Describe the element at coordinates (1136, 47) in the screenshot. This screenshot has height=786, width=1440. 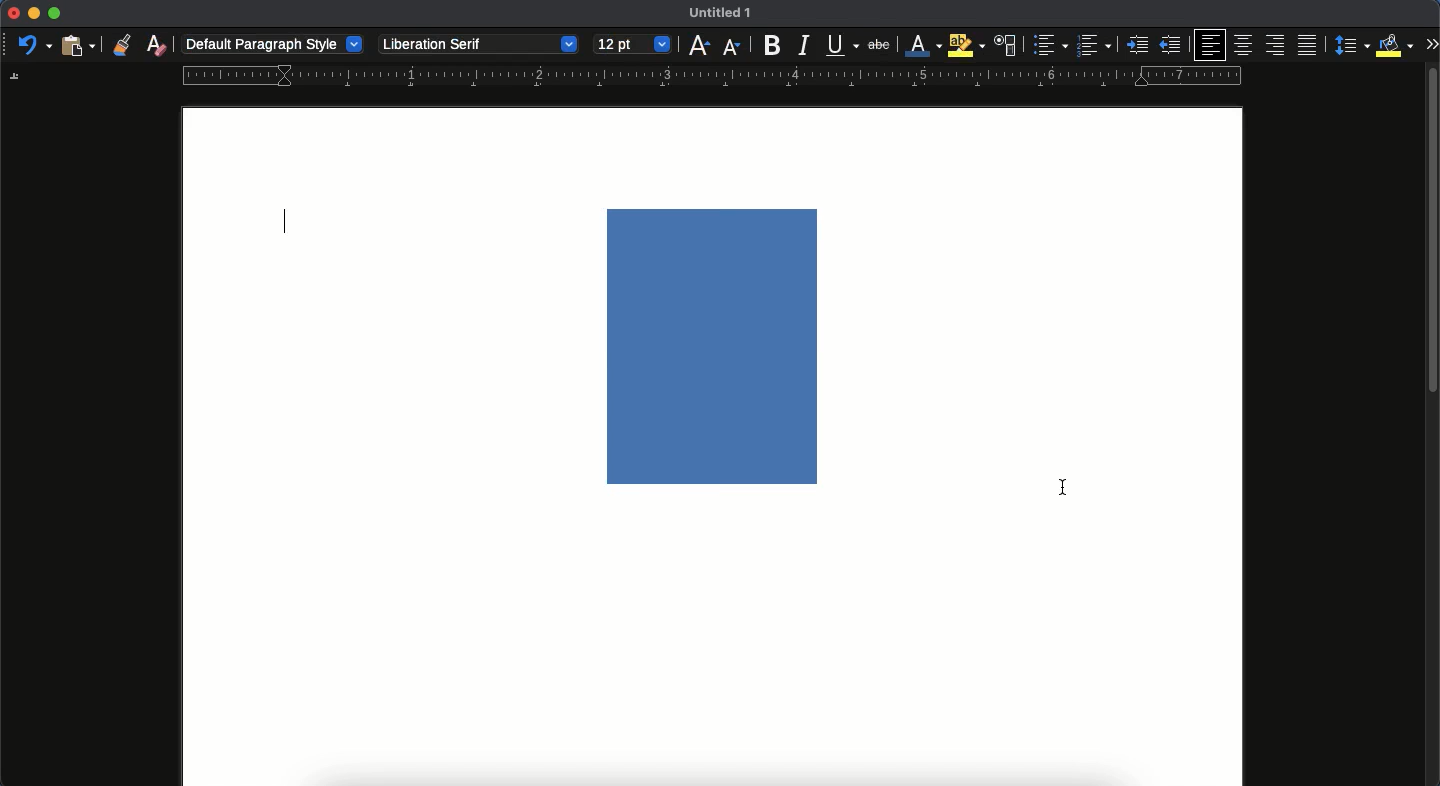
I see `indented` at that location.